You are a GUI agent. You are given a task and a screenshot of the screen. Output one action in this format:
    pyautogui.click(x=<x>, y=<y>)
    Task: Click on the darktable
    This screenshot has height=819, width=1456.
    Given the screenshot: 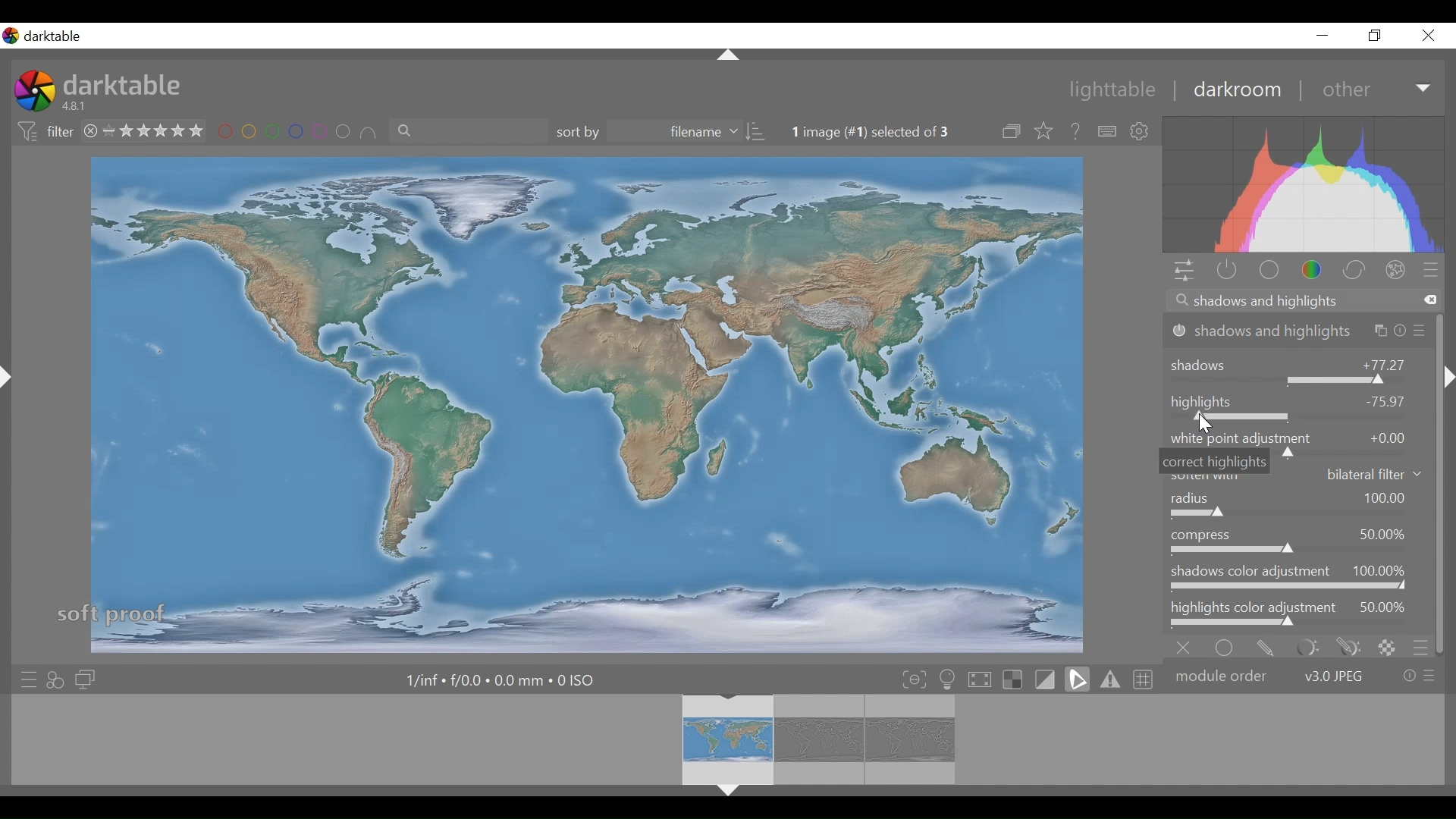 What is the action you would take?
    pyautogui.click(x=125, y=85)
    